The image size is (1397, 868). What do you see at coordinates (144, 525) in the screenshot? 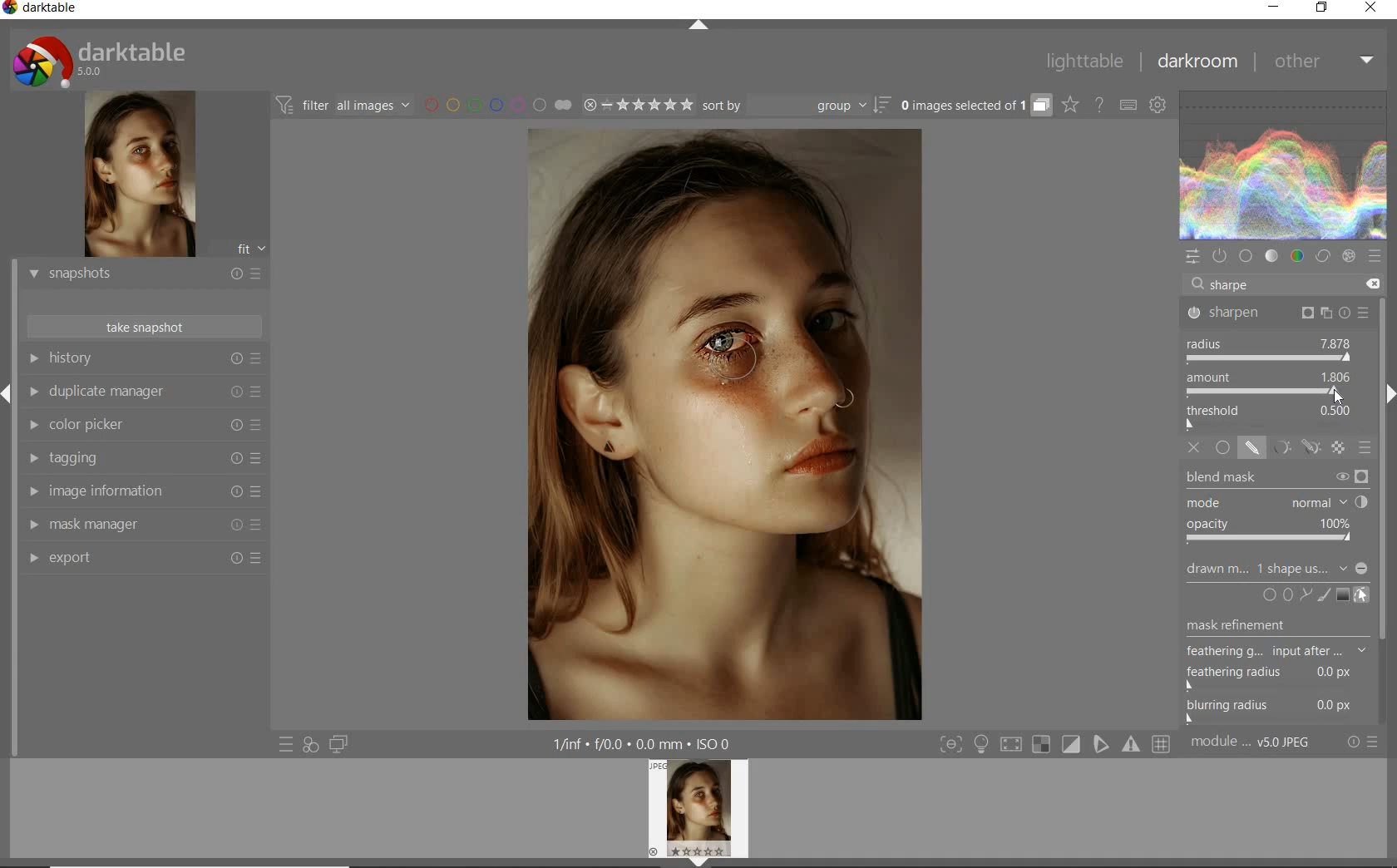
I see `mask manager` at bounding box center [144, 525].